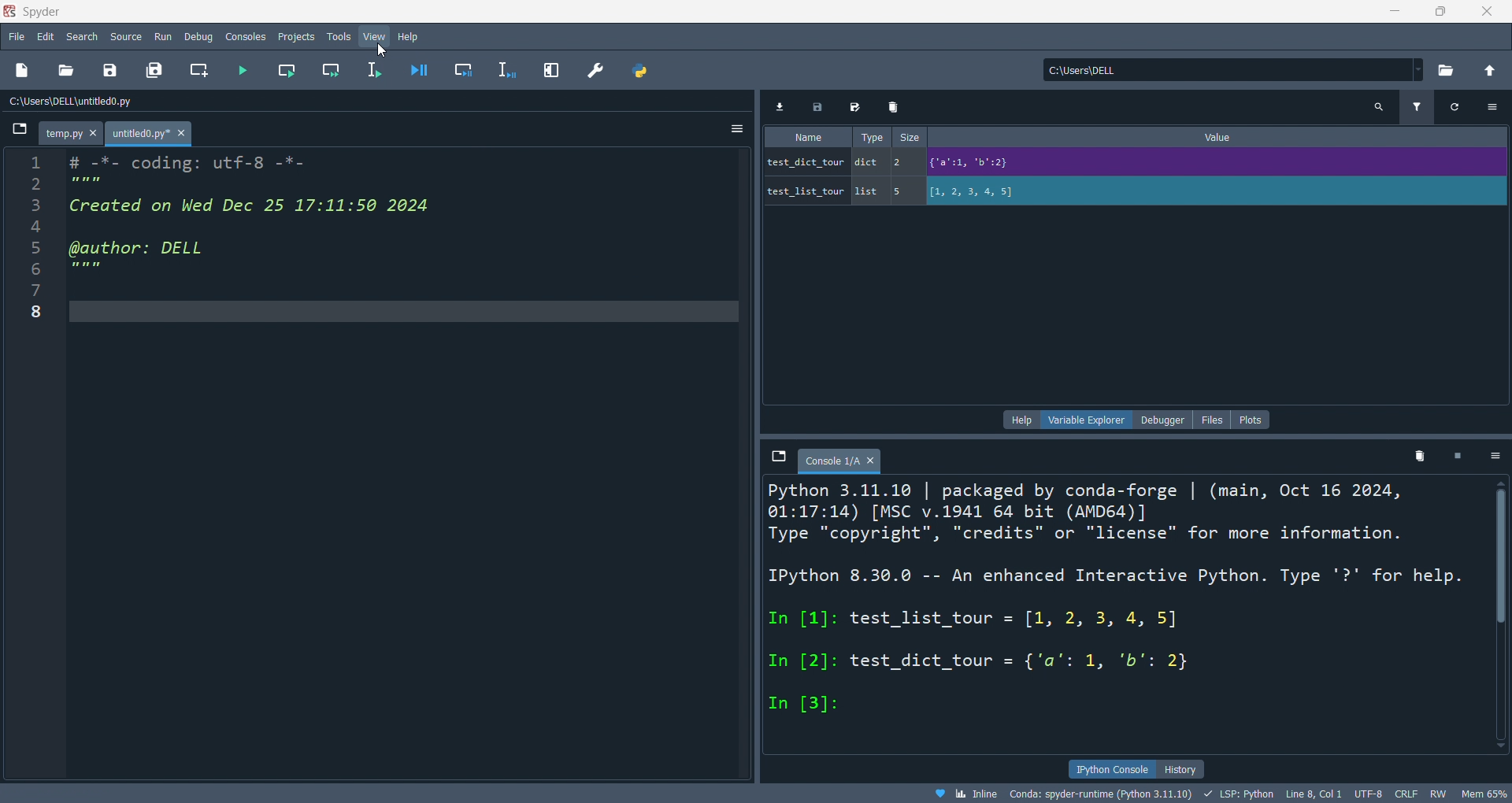 The height and width of the screenshot is (803, 1512). What do you see at coordinates (219, 12) in the screenshot?
I see `Spyder` at bounding box center [219, 12].